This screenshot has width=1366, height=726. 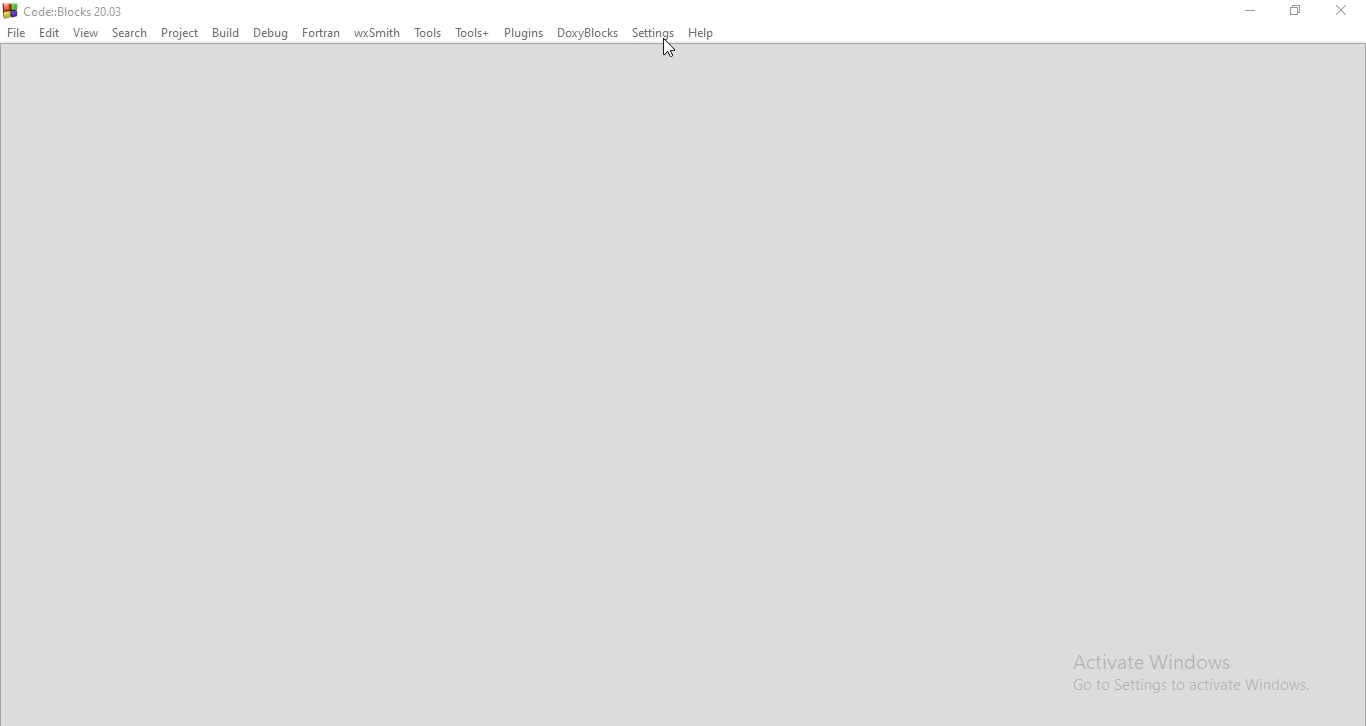 I want to click on close, so click(x=1346, y=15).